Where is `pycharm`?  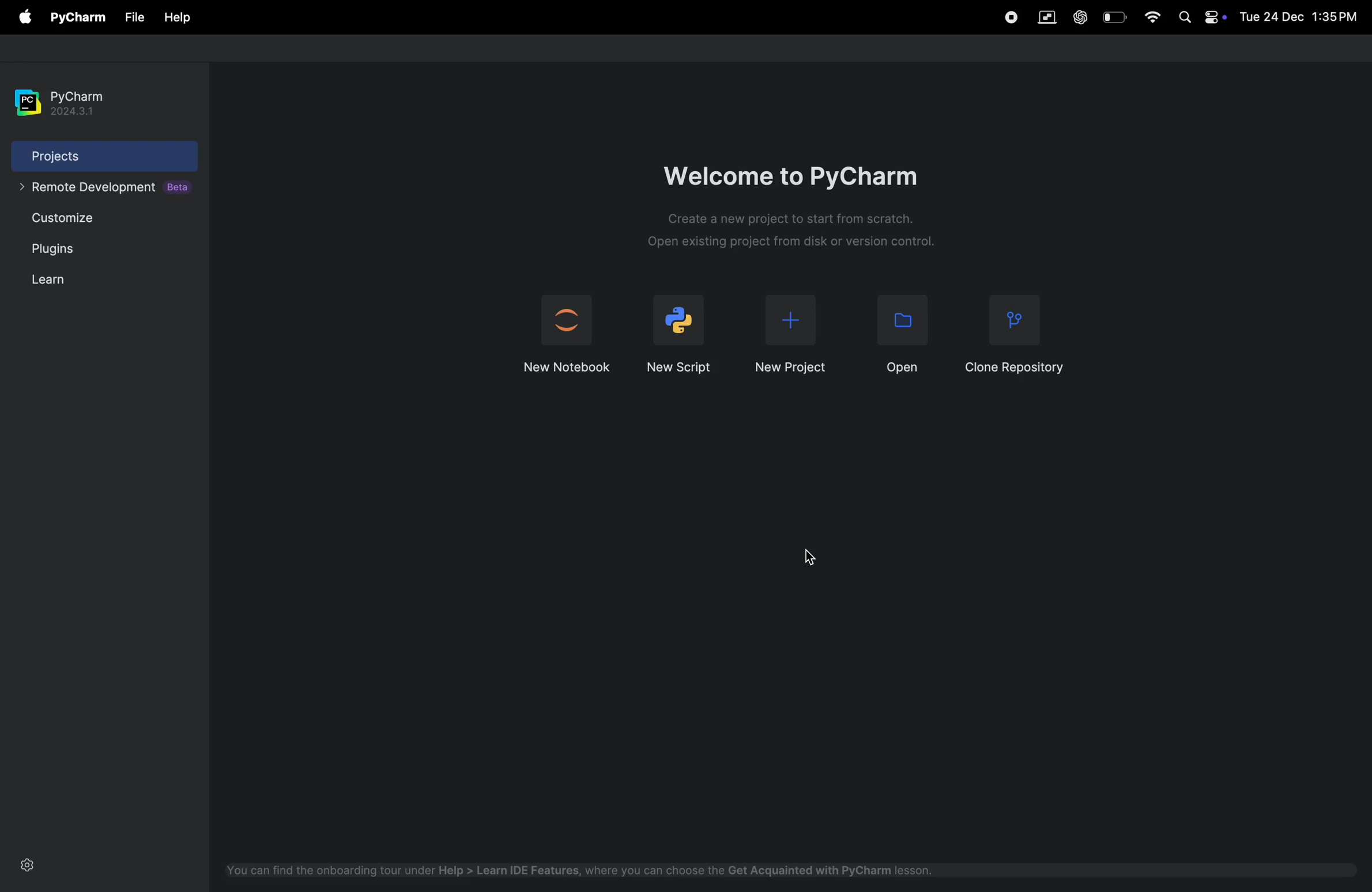 pycharm is located at coordinates (74, 18).